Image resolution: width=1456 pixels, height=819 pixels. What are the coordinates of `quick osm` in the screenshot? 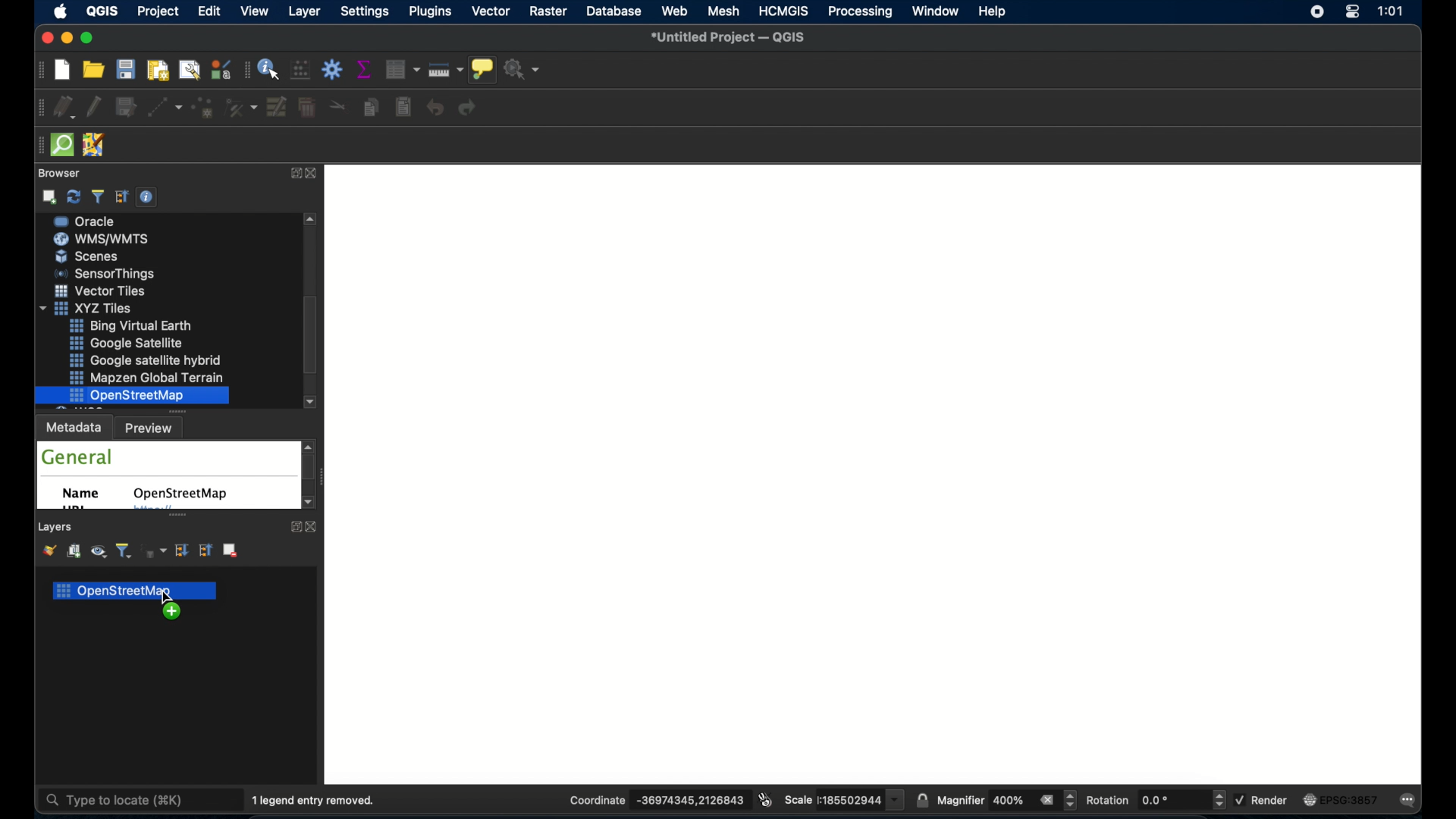 It's located at (61, 145).